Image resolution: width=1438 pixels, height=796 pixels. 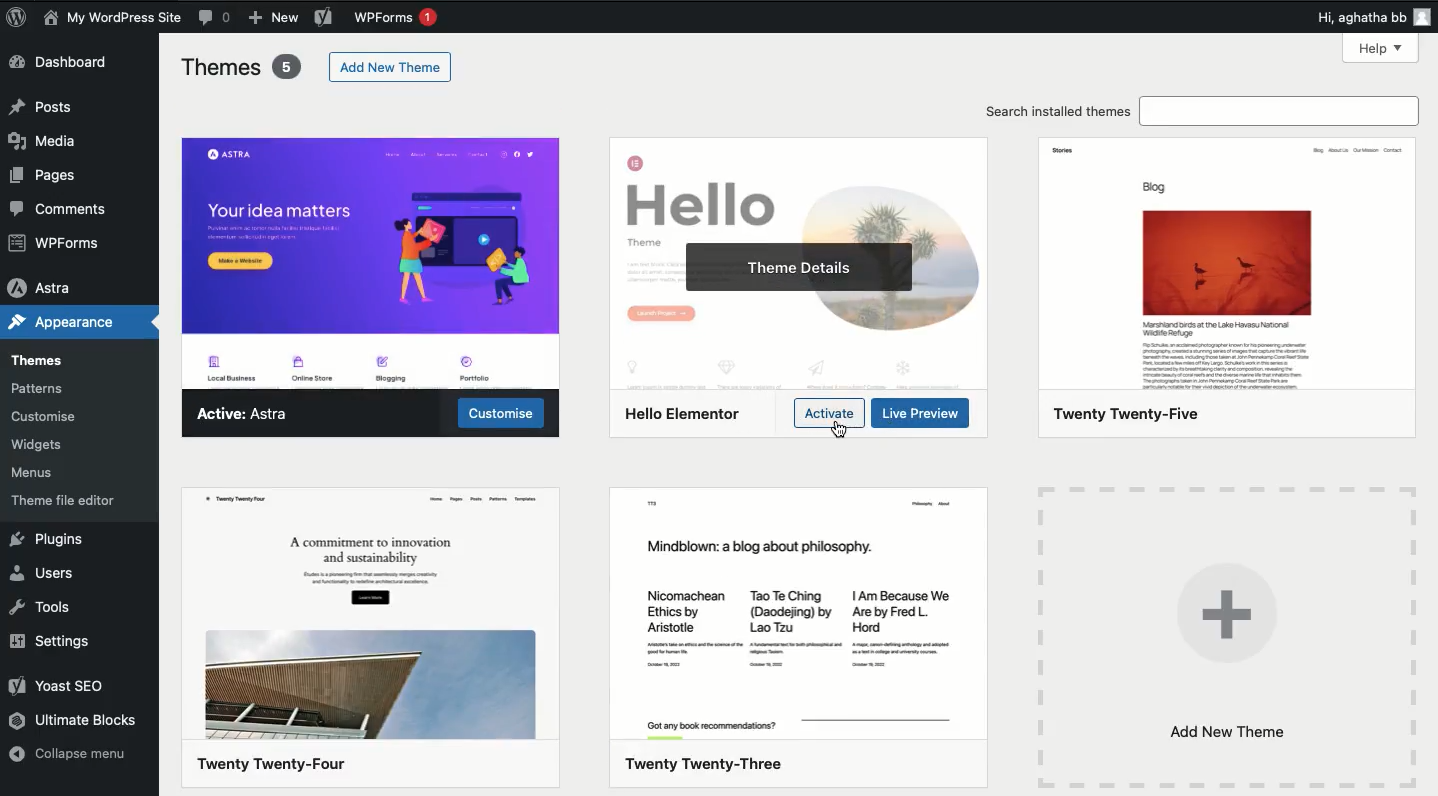 I want to click on Hello elementor, so click(x=685, y=414).